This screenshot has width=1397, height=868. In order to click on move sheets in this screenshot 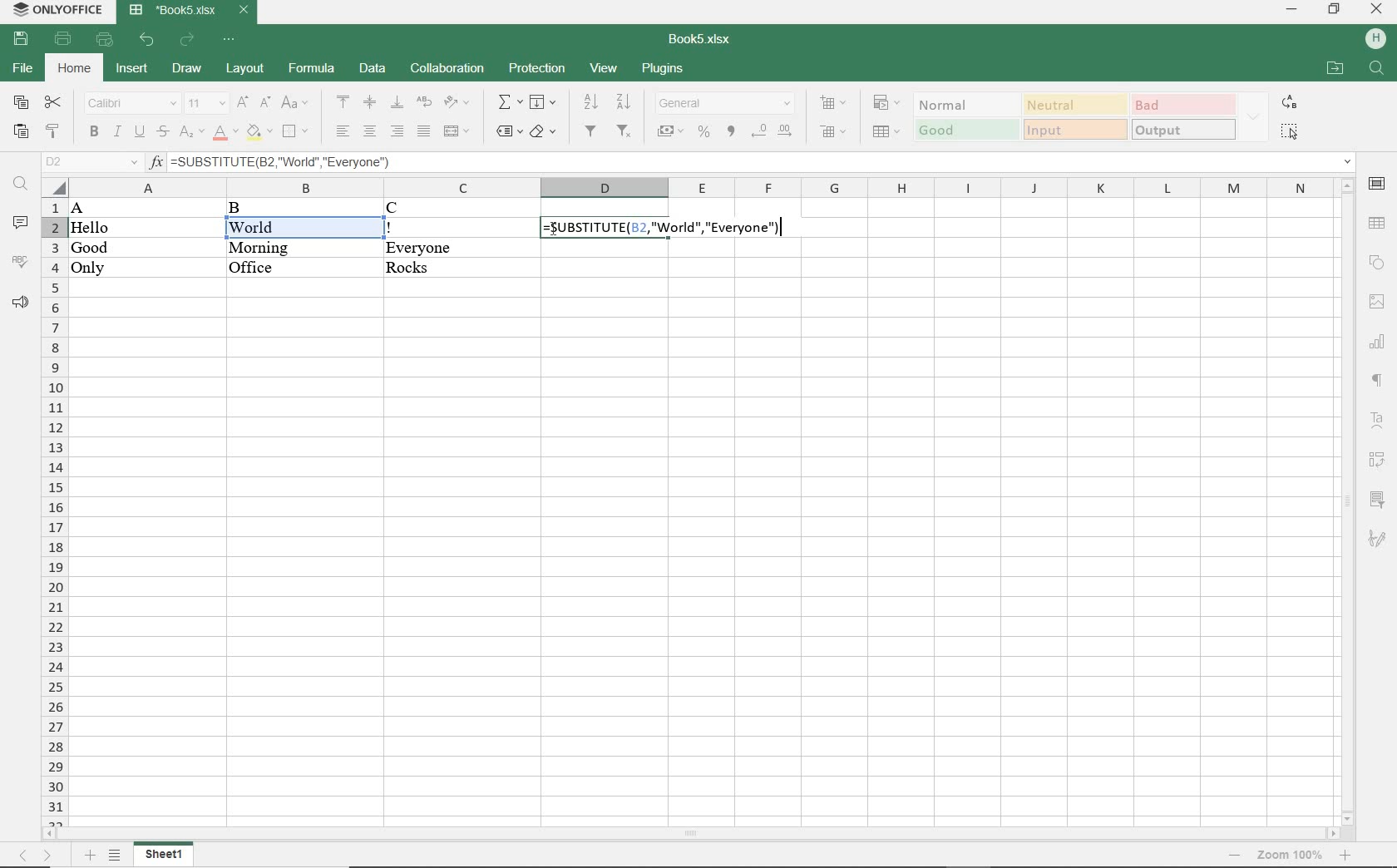, I will do `click(41, 856)`.